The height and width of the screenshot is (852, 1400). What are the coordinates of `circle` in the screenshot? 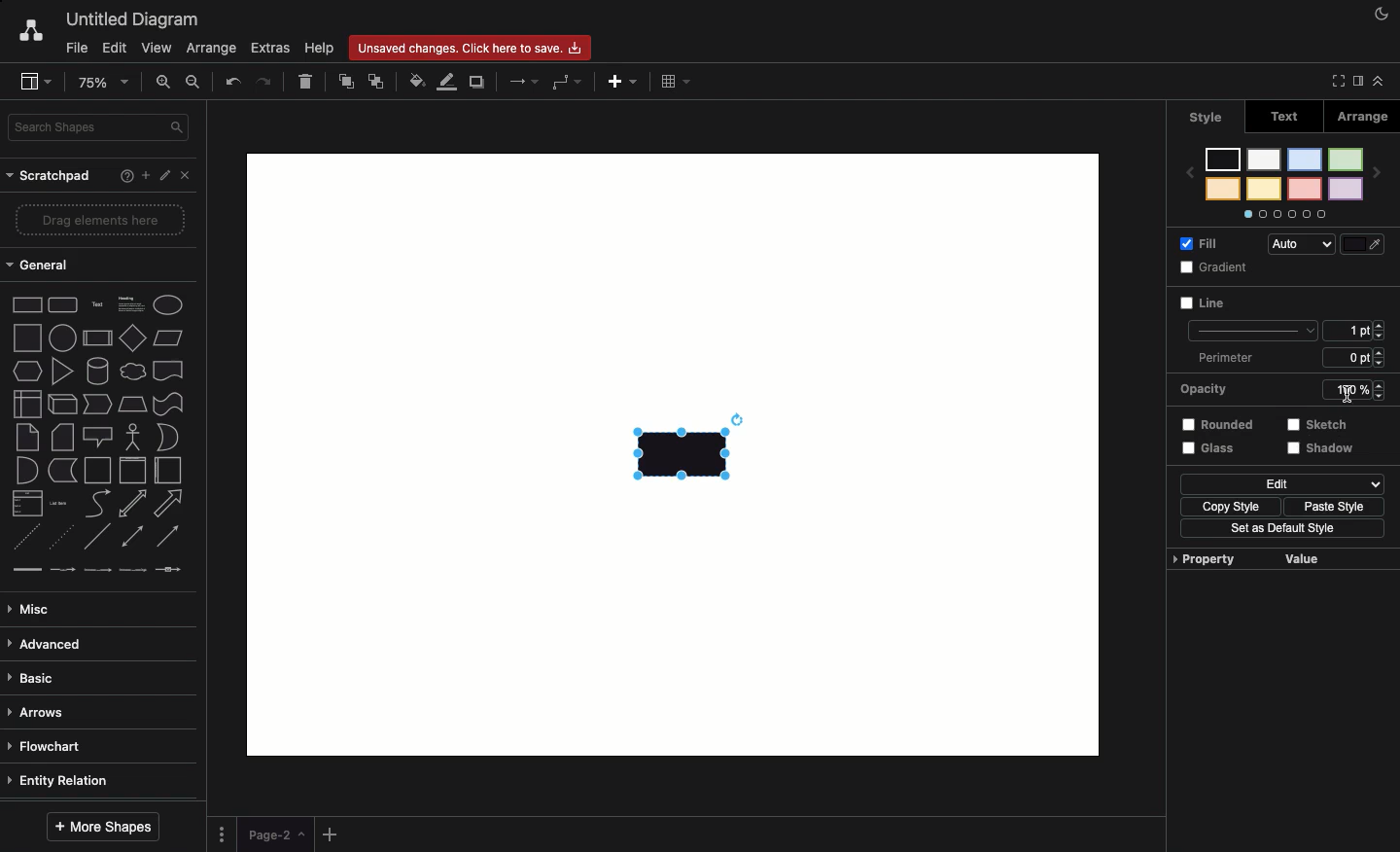 It's located at (63, 337).